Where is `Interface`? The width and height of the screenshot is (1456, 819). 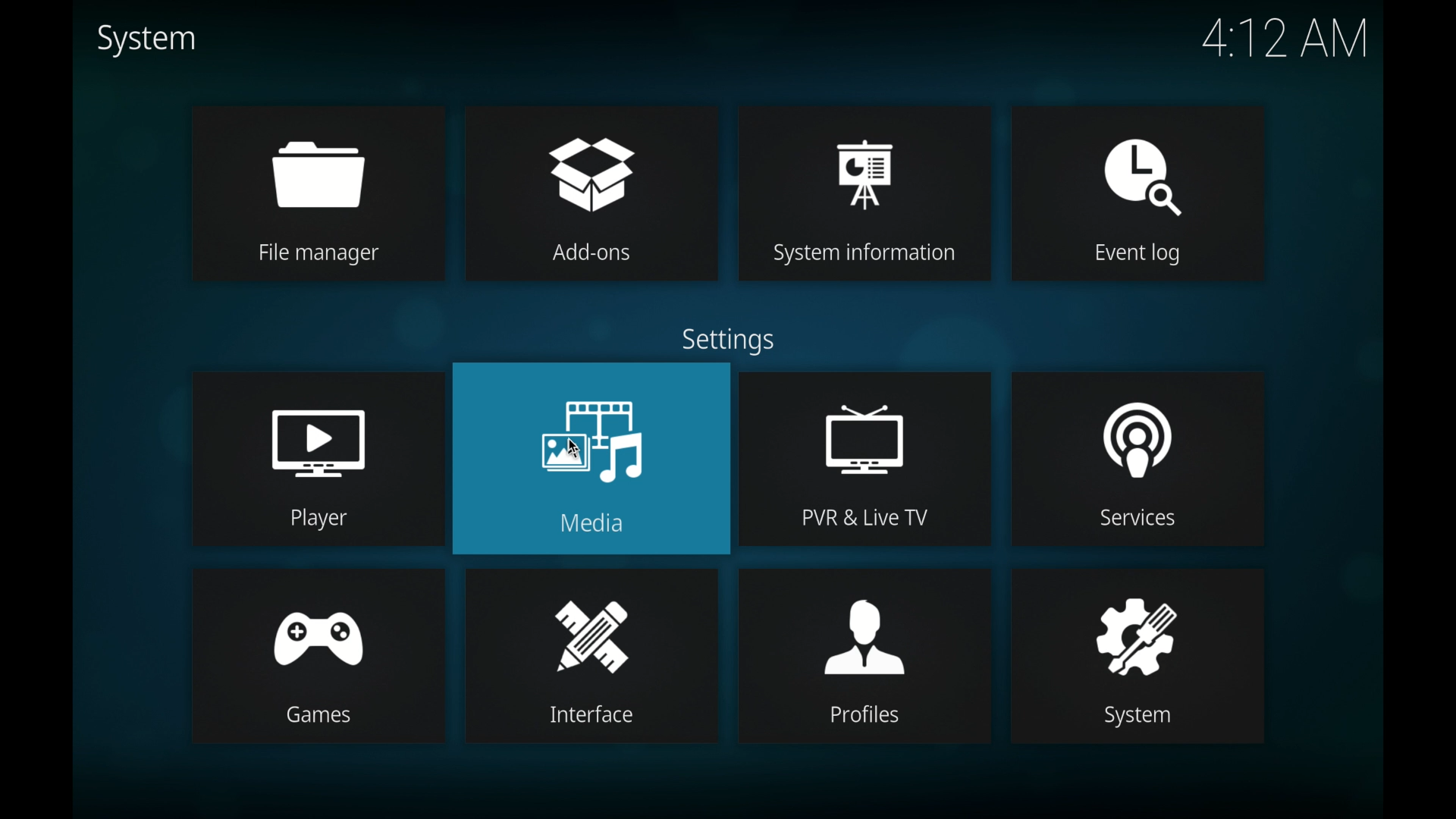
Interface is located at coordinates (598, 714).